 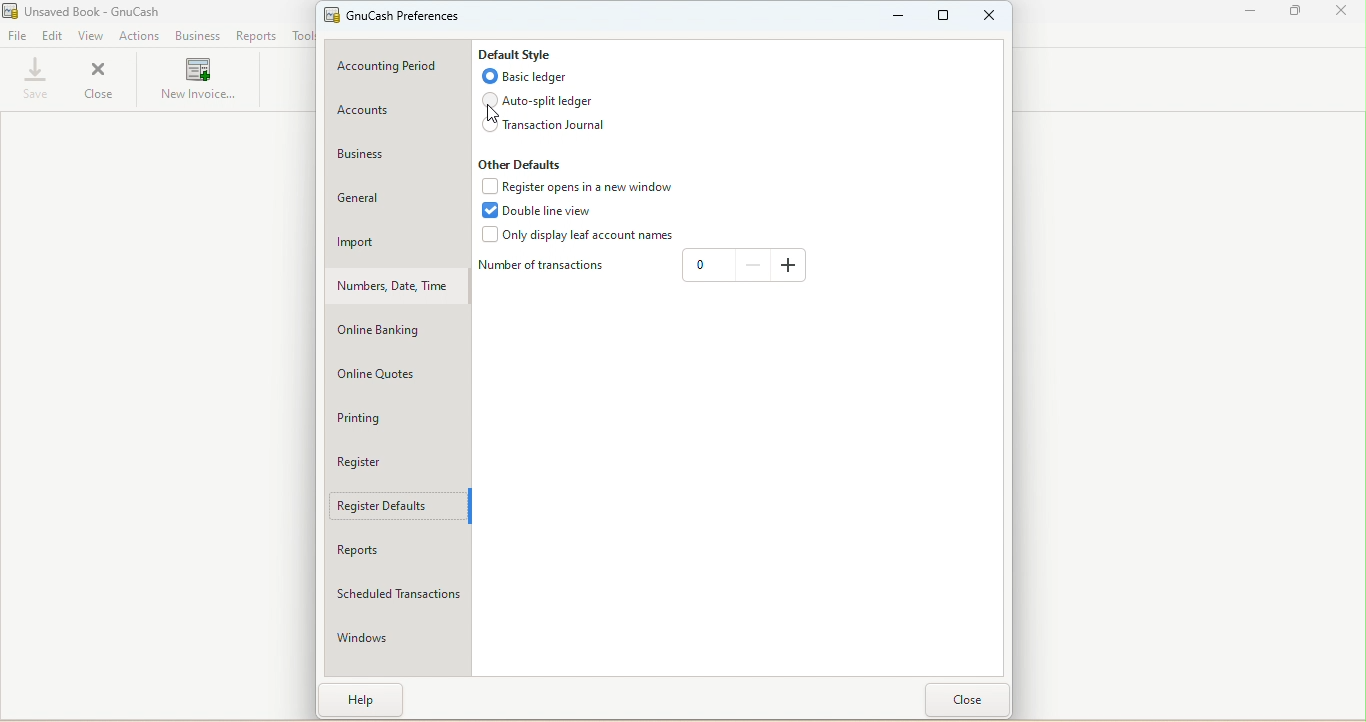 I want to click on Edit, so click(x=53, y=37).